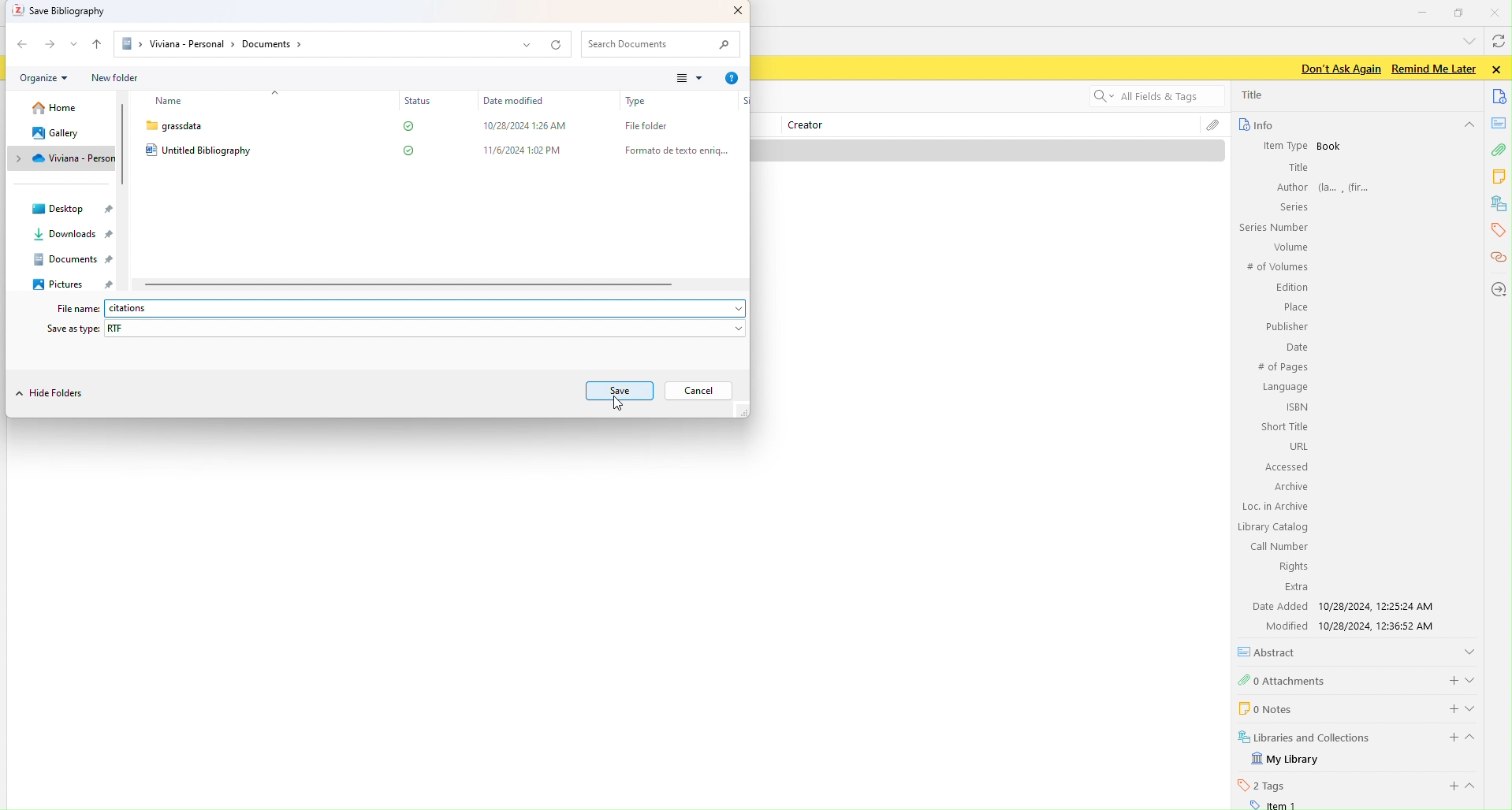  What do you see at coordinates (1285, 388) in the screenshot?
I see `Language` at bounding box center [1285, 388].